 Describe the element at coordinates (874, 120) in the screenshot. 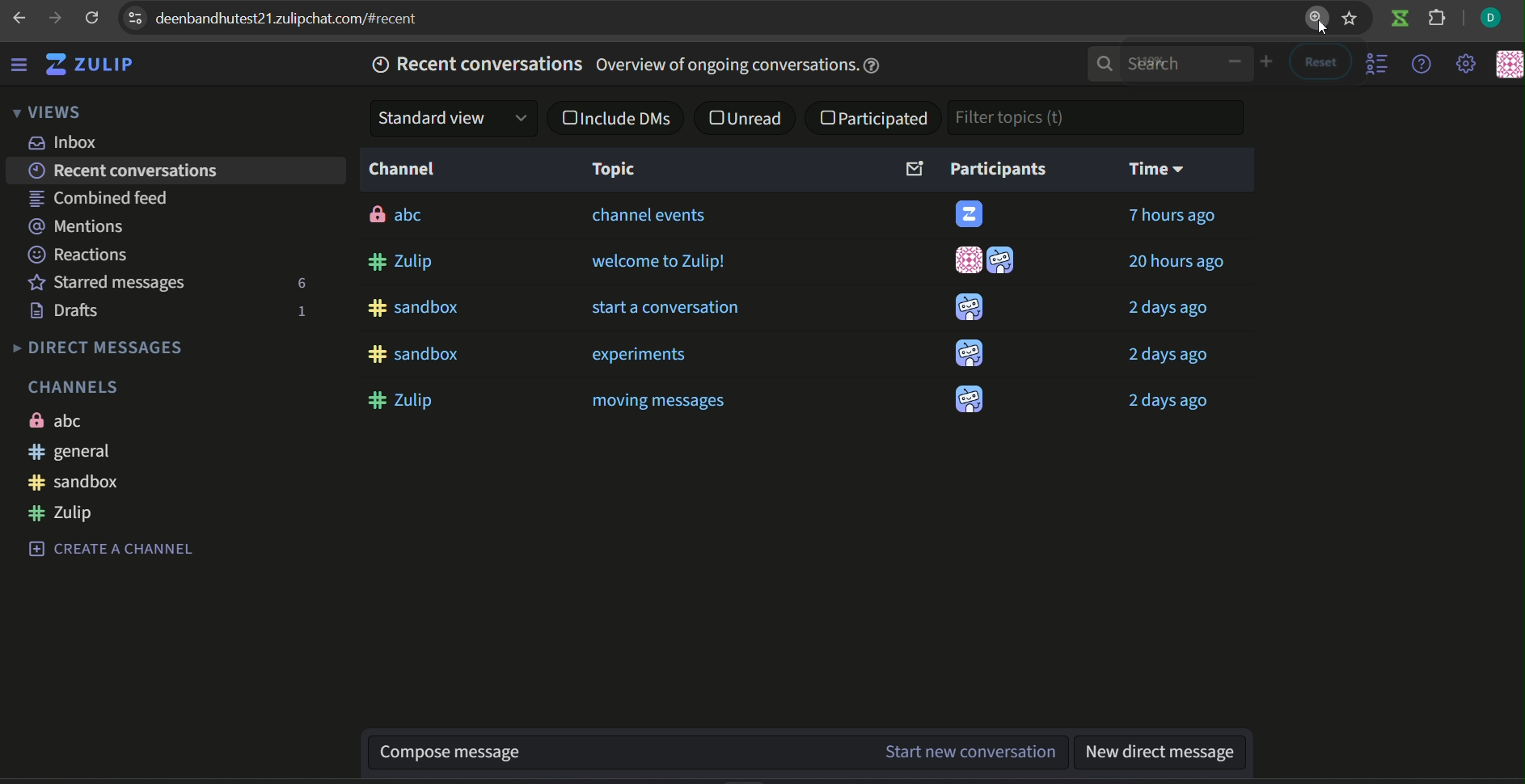

I see `participated` at that location.